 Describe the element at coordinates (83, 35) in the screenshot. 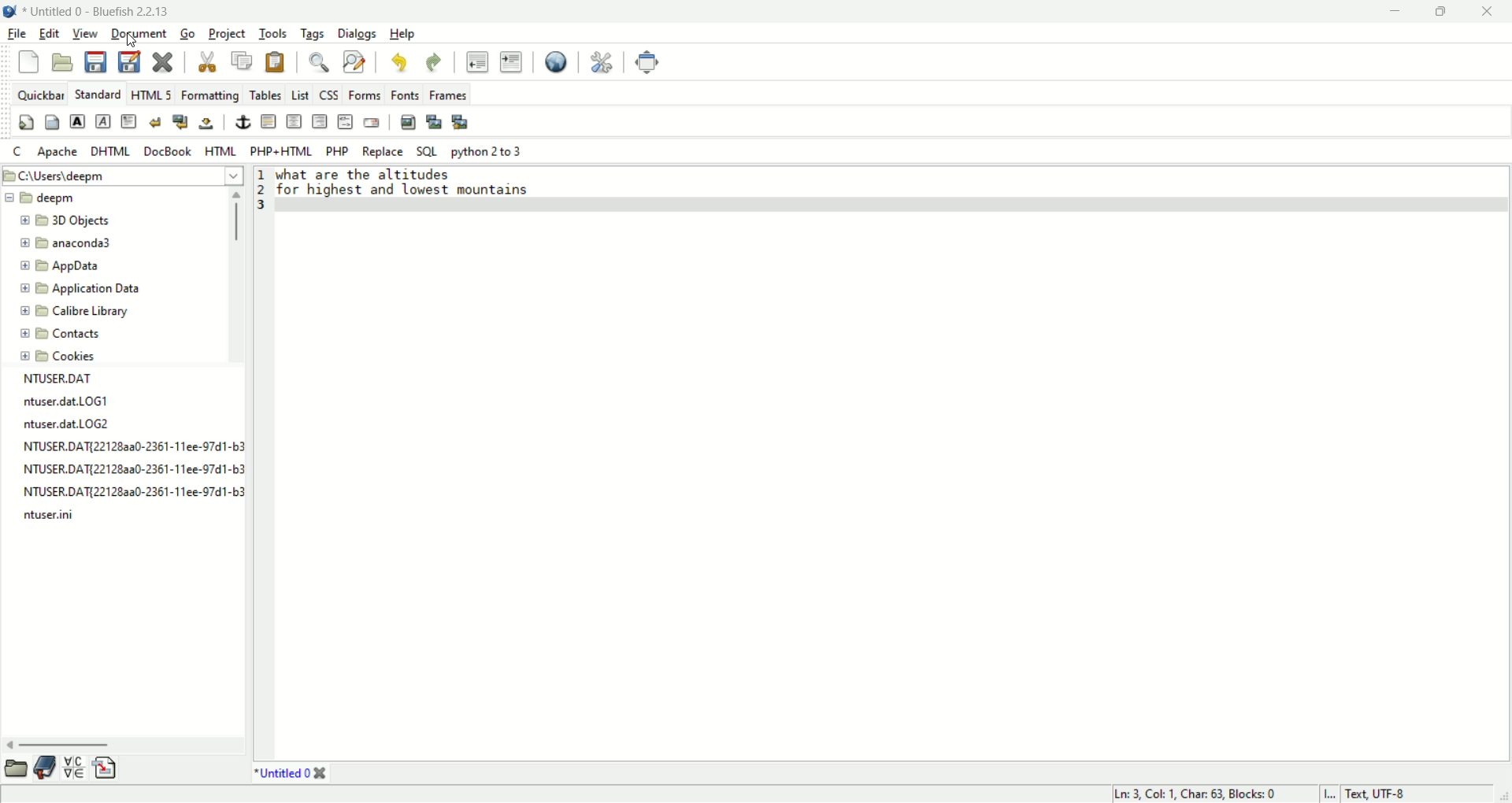

I see `view` at that location.